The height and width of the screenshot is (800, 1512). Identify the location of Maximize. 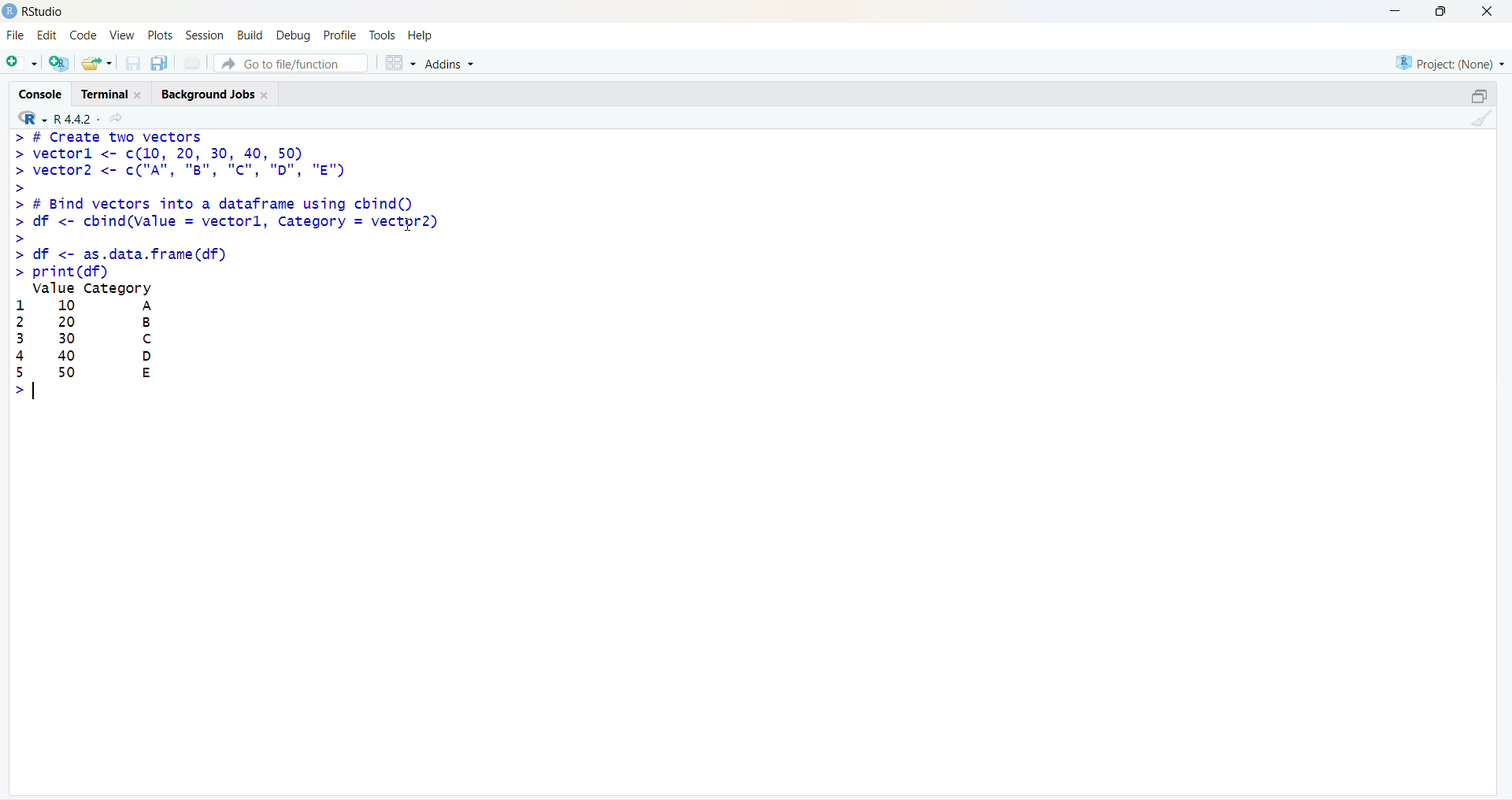
(1442, 11).